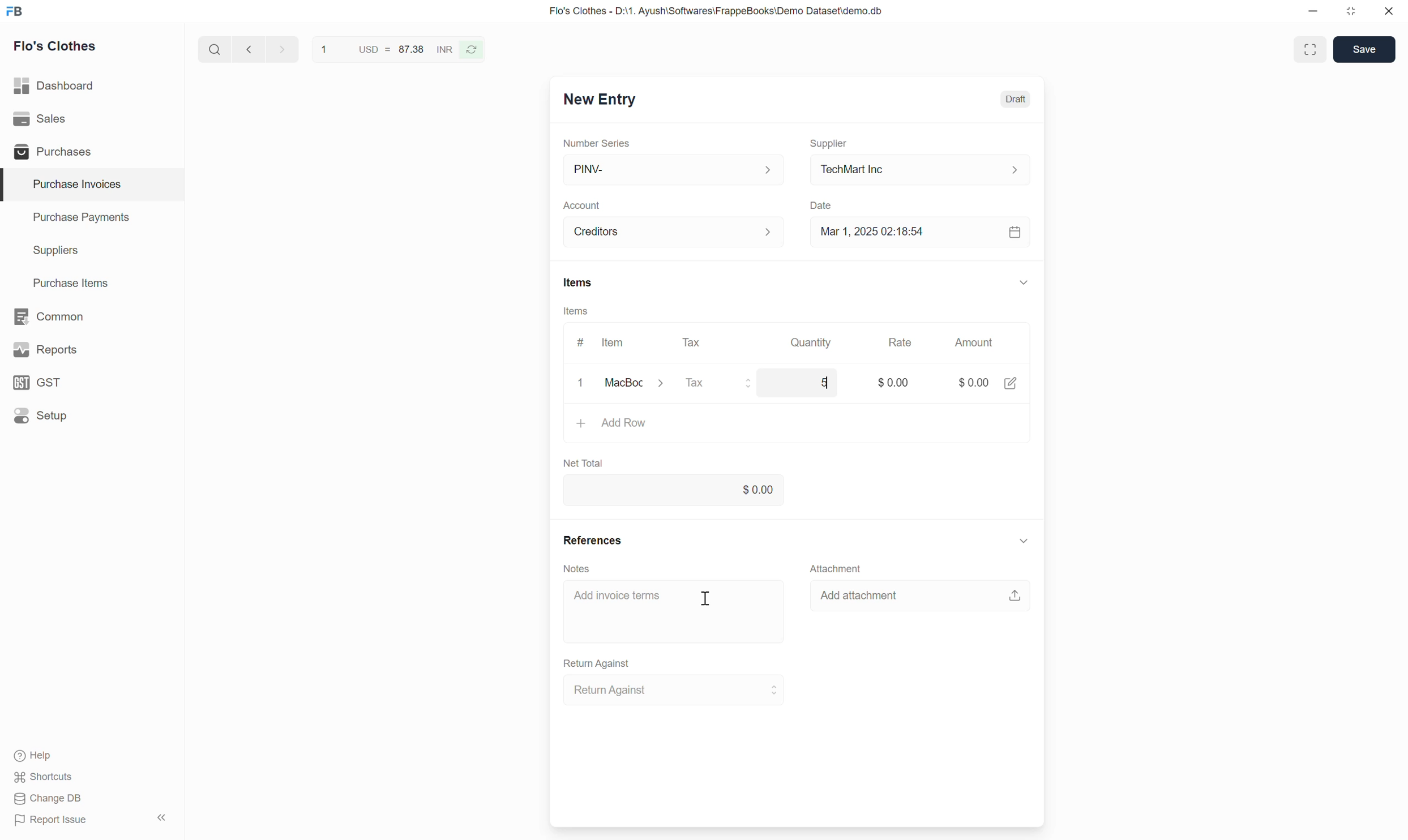 The image size is (1408, 840). What do you see at coordinates (893, 378) in the screenshot?
I see `$0.00` at bounding box center [893, 378].